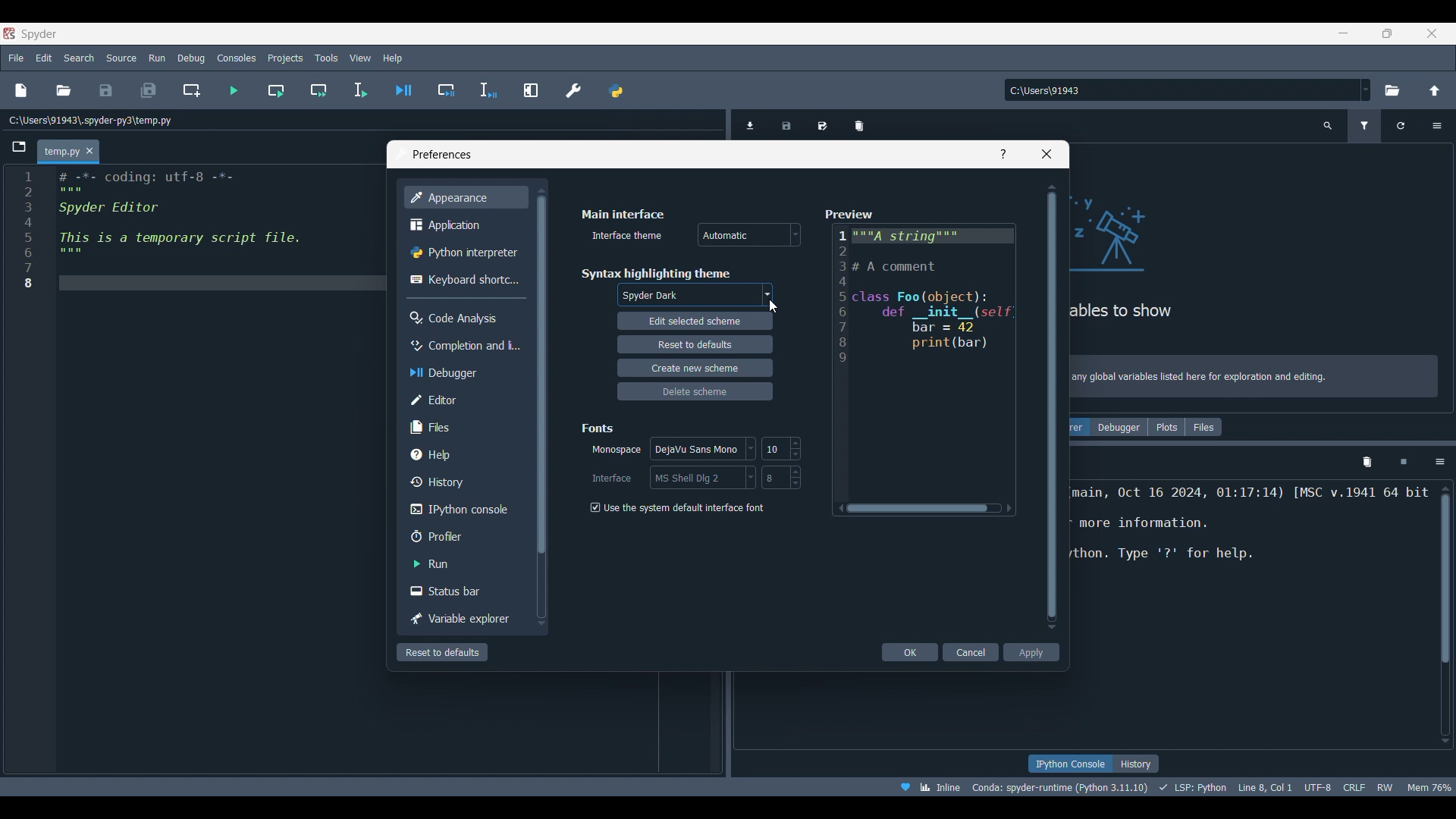 This screenshot has height=819, width=1456. I want to click on Cancel, so click(971, 652).